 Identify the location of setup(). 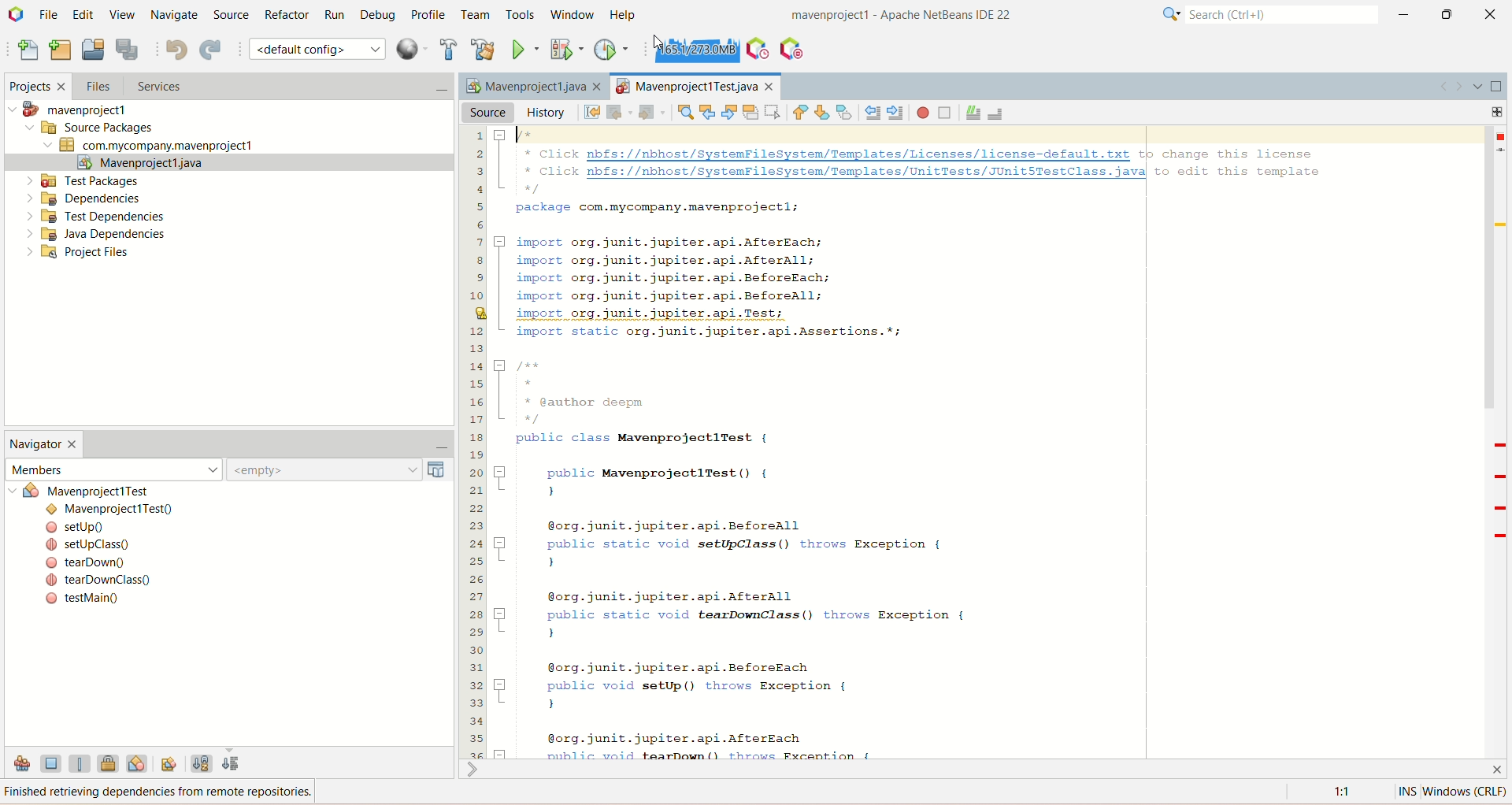
(120, 526).